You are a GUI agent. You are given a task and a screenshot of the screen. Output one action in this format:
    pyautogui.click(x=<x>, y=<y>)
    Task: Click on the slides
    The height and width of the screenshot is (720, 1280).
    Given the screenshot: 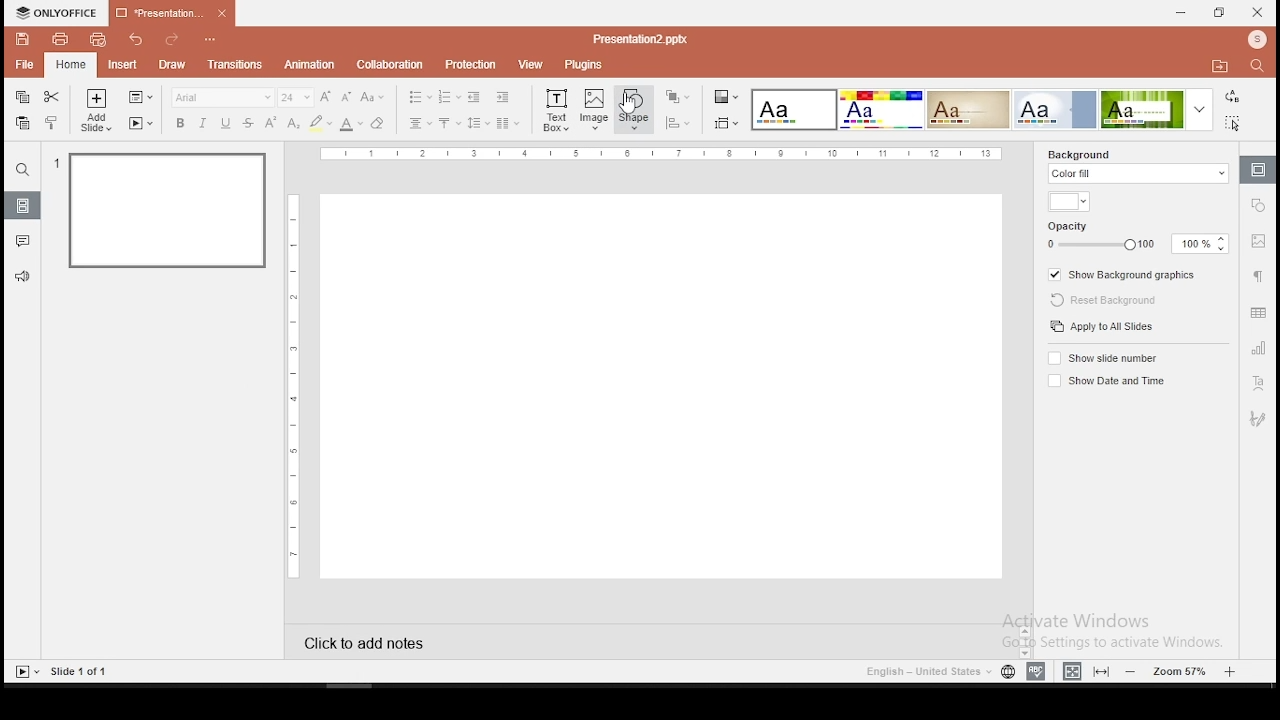 What is the action you would take?
    pyautogui.click(x=21, y=205)
    